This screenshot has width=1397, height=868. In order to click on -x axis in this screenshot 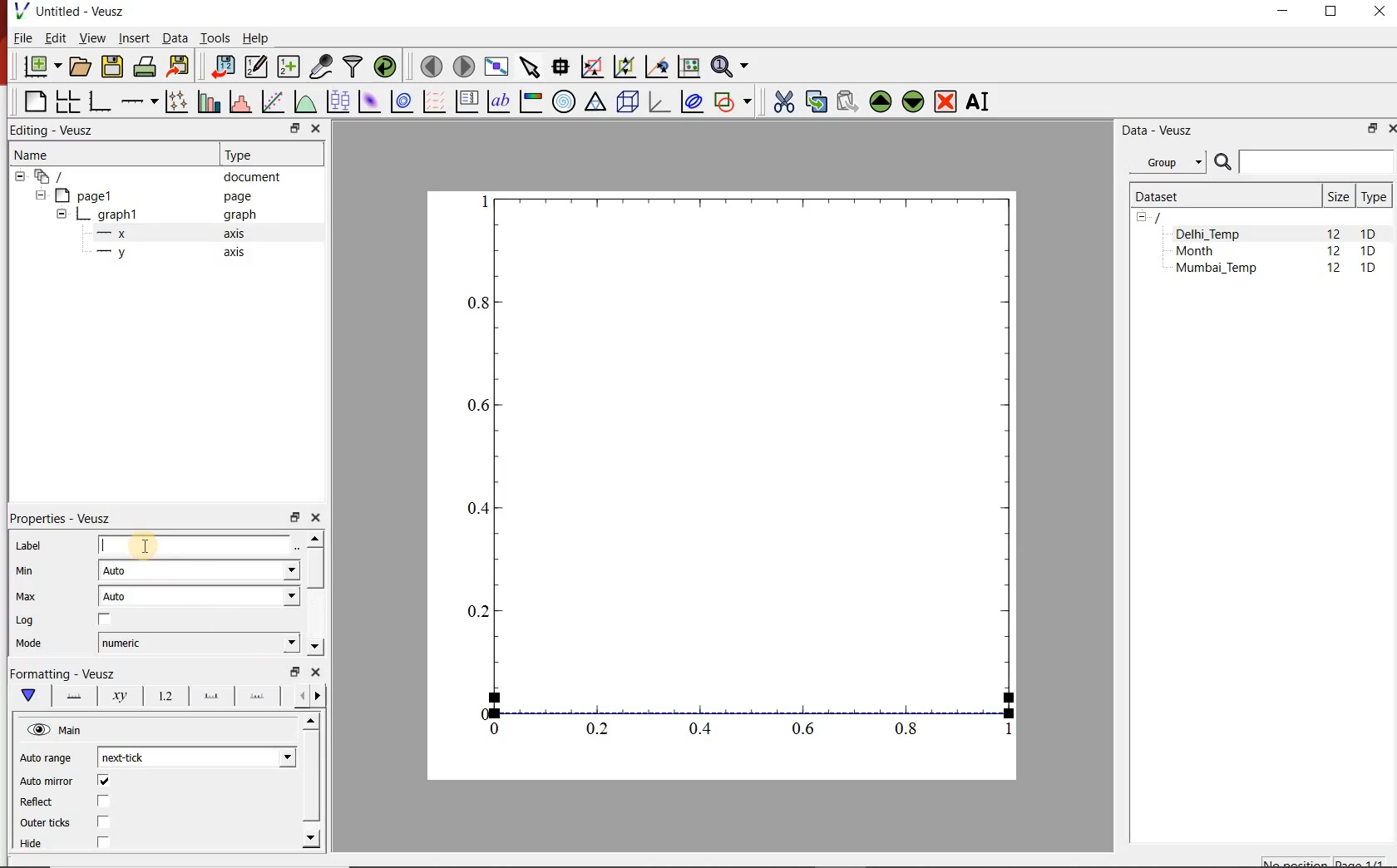, I will do `click(164, 234)`.